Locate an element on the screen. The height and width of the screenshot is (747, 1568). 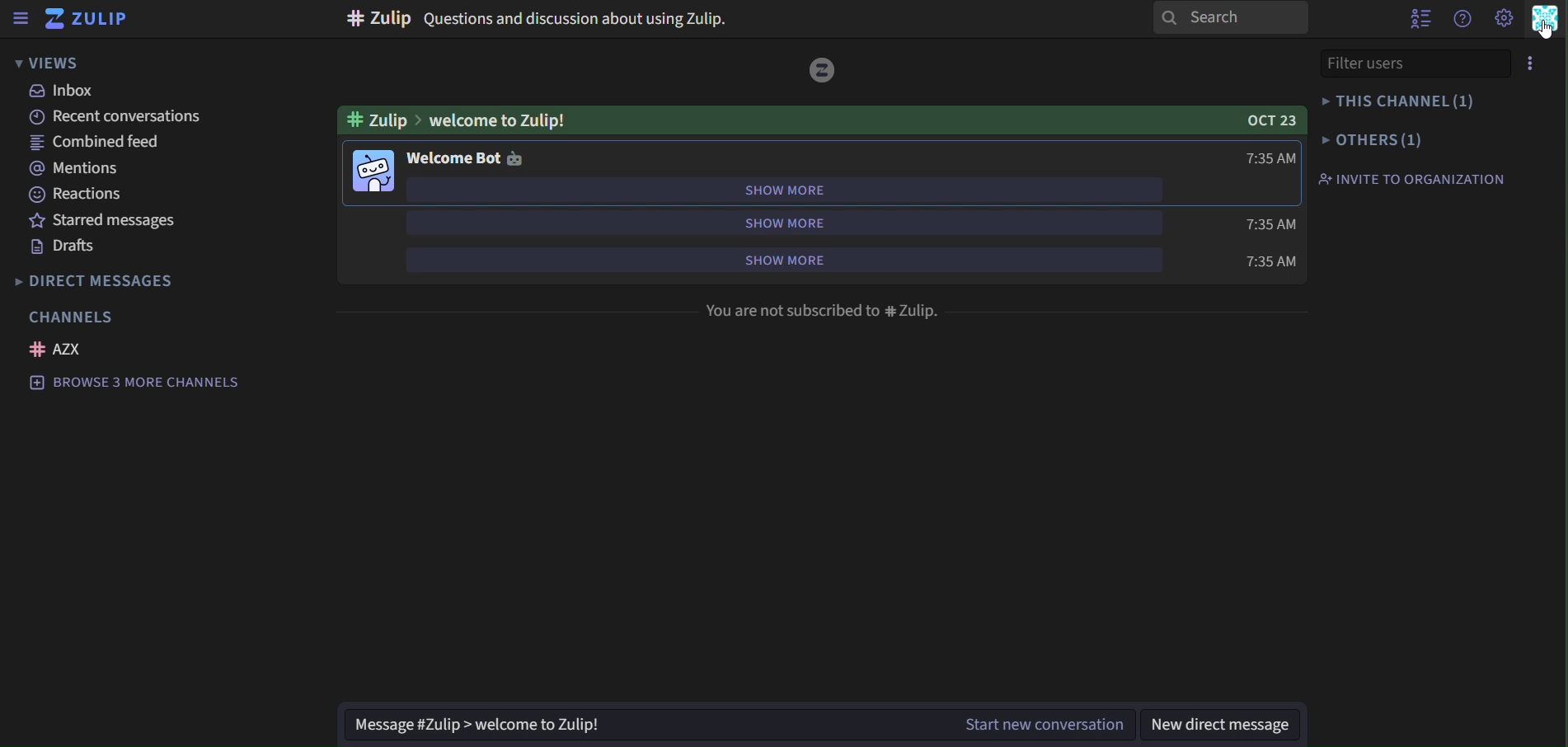
filter users is located at coordinates (1383, 63).